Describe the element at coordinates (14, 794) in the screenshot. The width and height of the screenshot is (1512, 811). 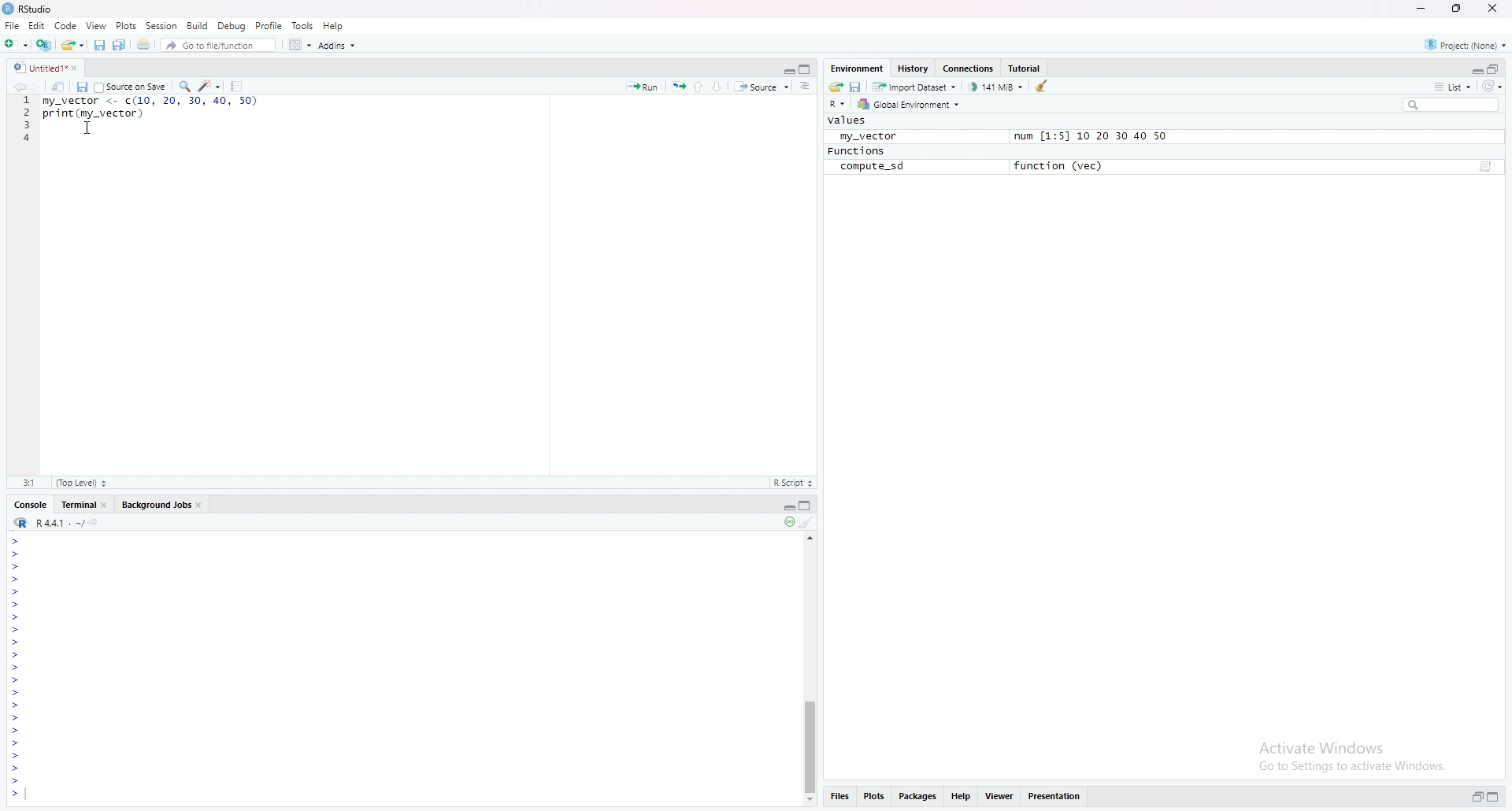
I see `Prompt cursor` at that location.